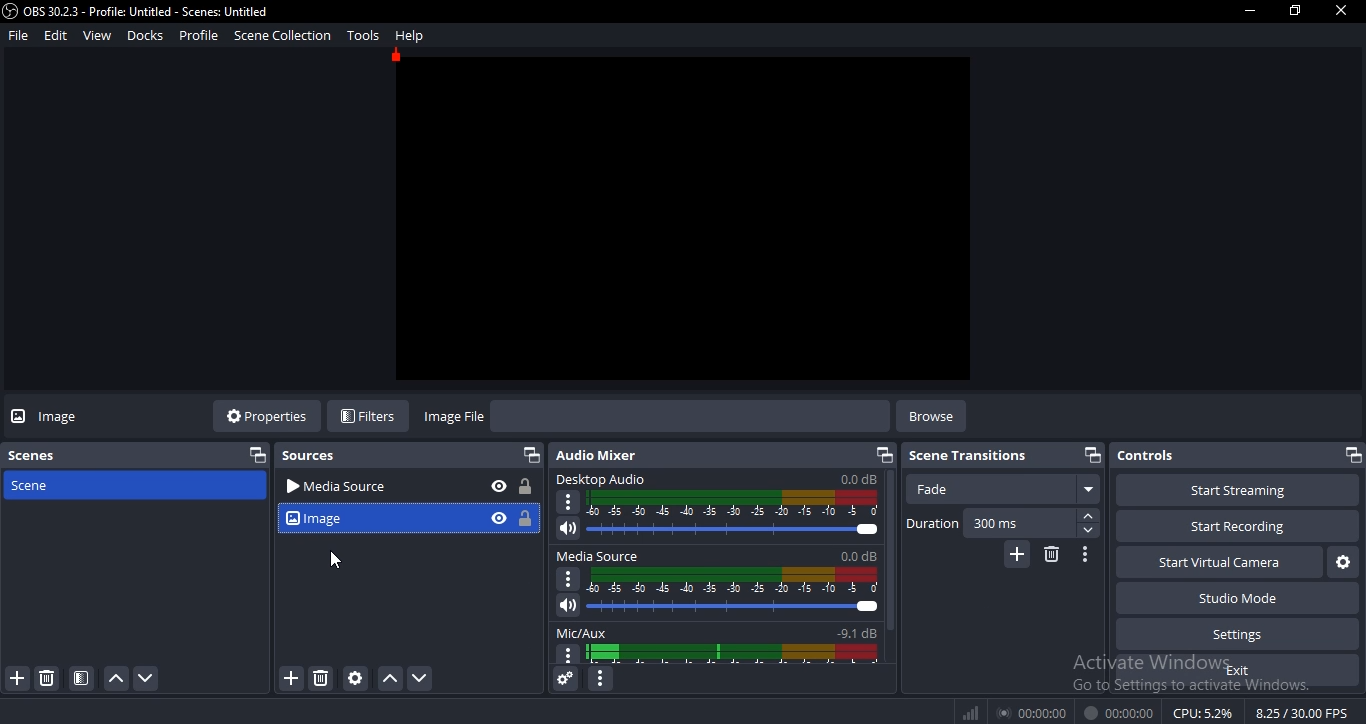 The image size is (1366, 724). I want to click on restore, so click(1355, 454).